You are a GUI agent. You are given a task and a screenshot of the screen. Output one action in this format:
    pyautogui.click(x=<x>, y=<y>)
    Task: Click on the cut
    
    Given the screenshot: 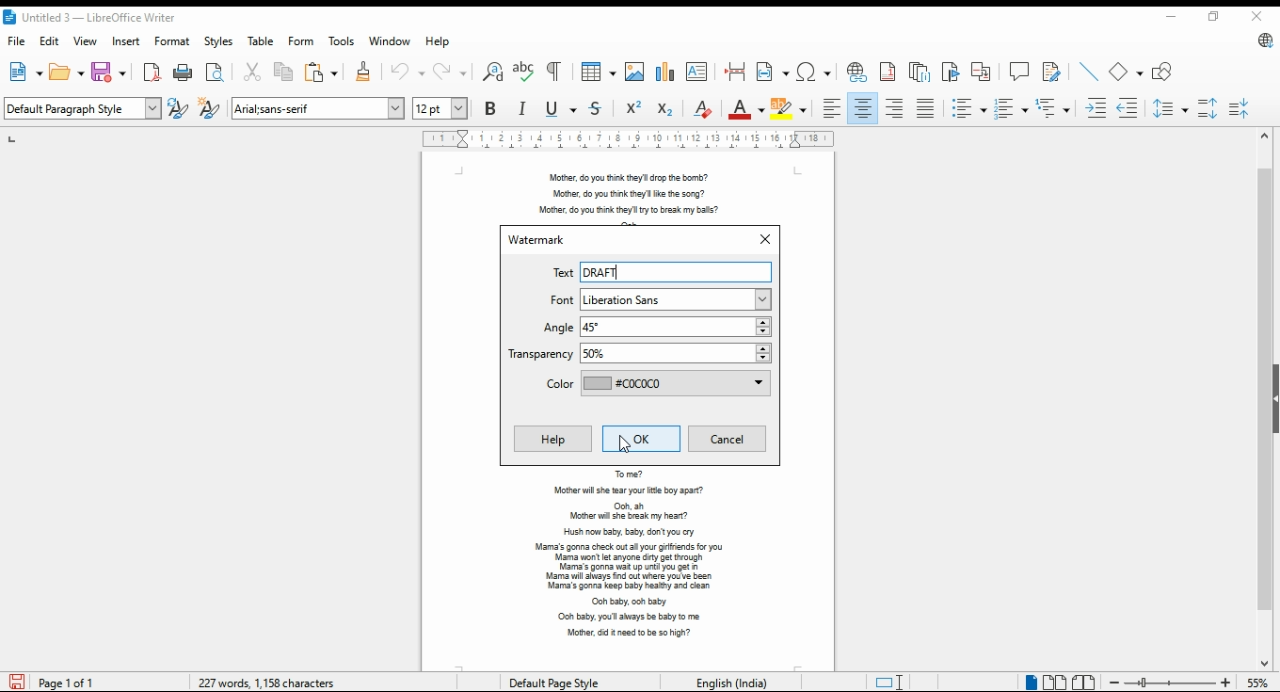 What is the action you would take?
    pyautogui.click(x=254, y=71)
    